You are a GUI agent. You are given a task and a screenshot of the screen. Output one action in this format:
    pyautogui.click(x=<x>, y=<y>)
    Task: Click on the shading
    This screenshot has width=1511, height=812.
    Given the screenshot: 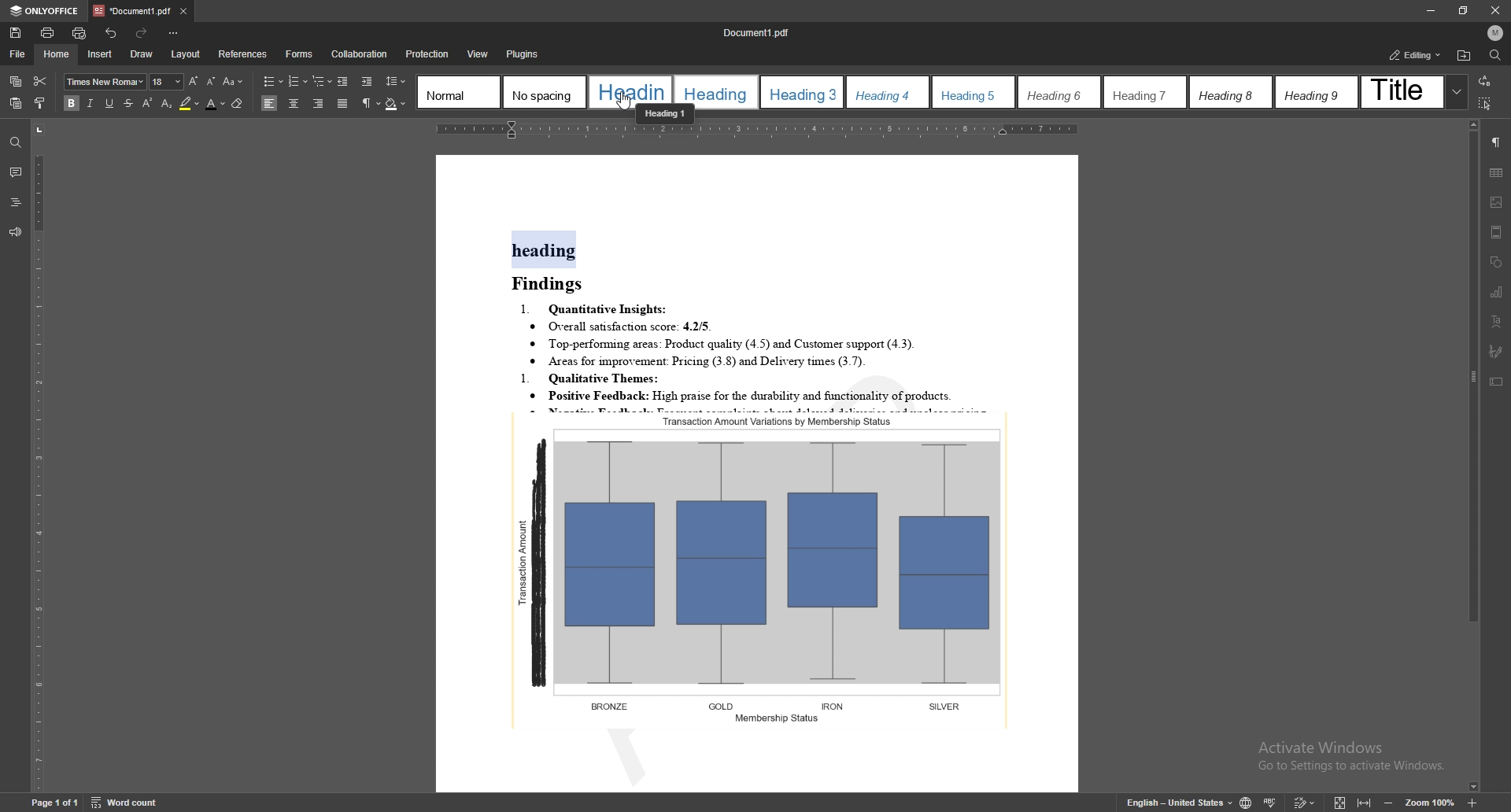 What is the action you would take?
    pyautogui.click(x=396, y=105)
    